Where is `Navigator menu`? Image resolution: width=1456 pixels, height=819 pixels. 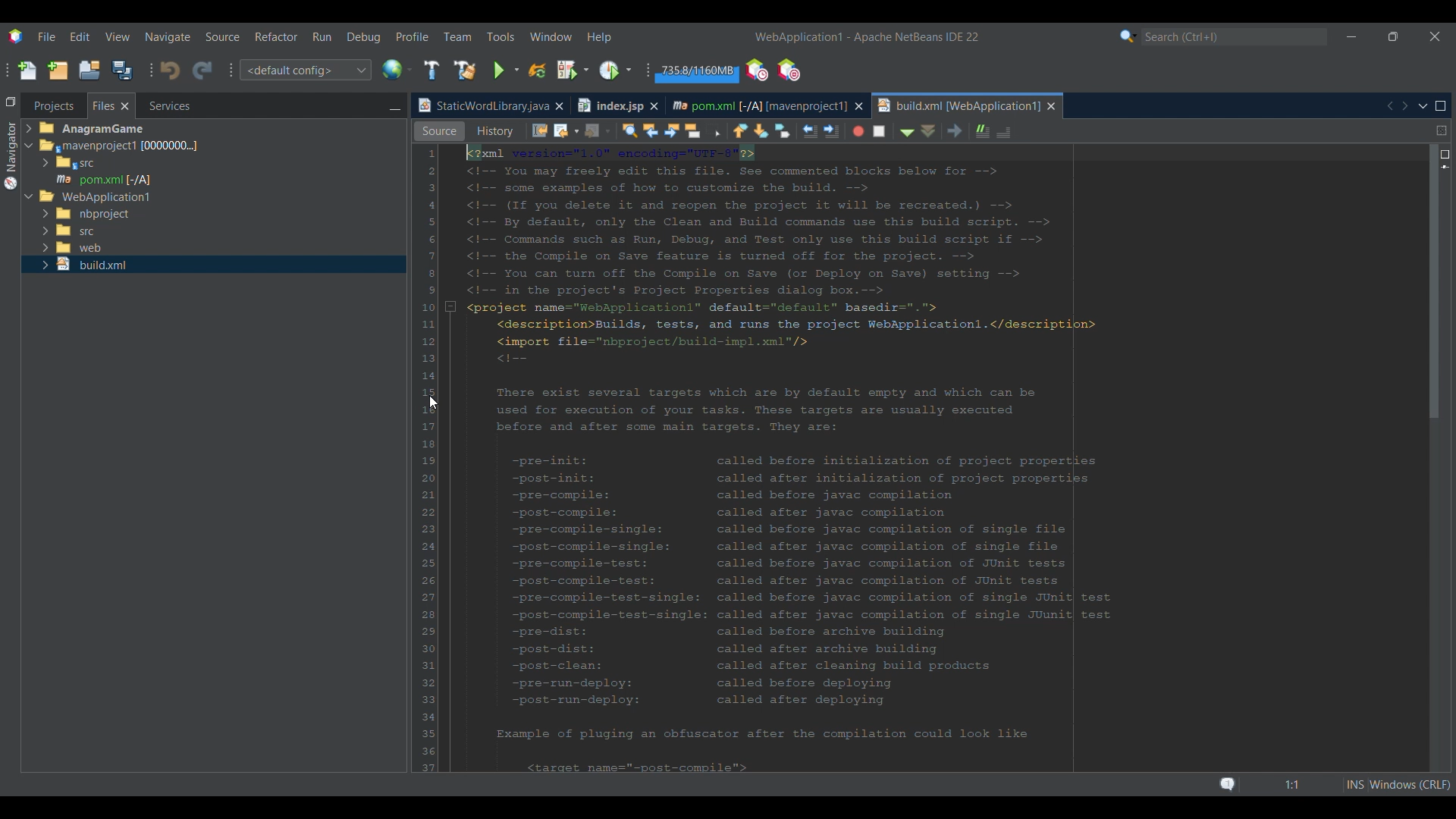 Navigator menu is located at coordinates (9, 155).